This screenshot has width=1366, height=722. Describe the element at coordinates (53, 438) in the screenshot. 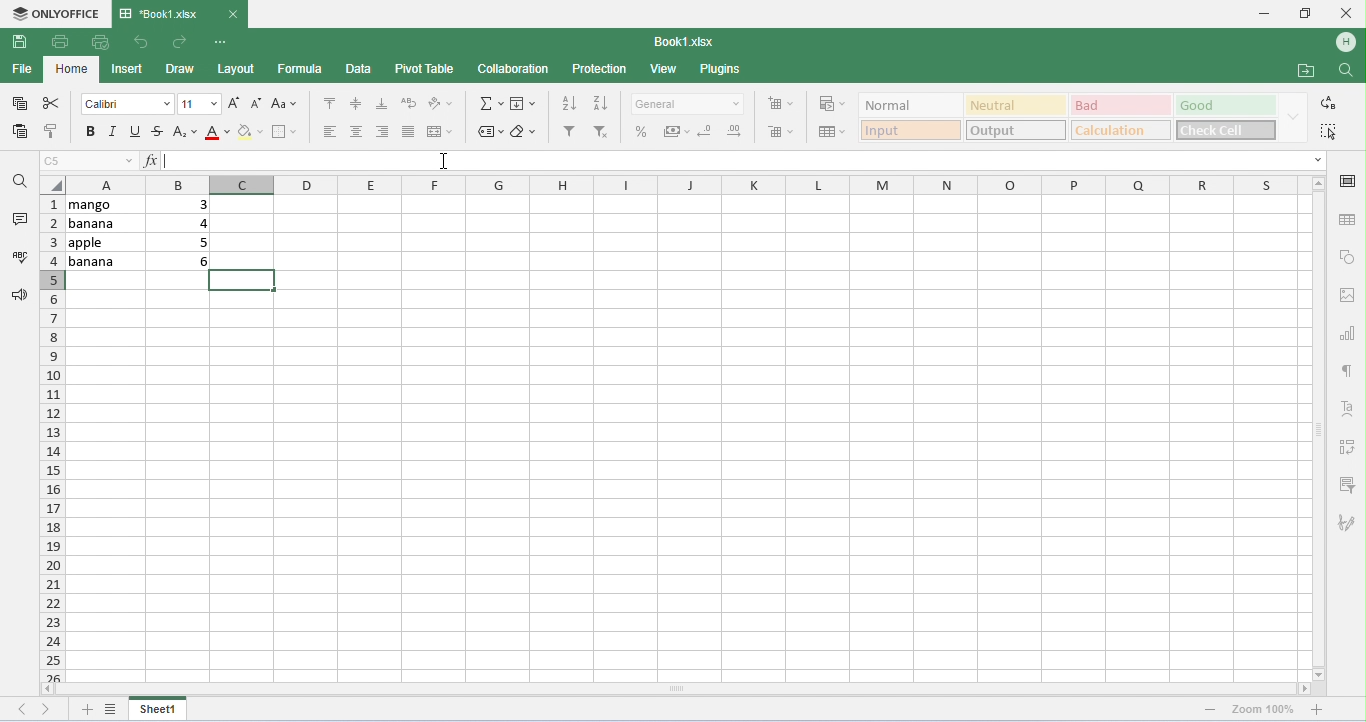

I see `row numbers` at that location.